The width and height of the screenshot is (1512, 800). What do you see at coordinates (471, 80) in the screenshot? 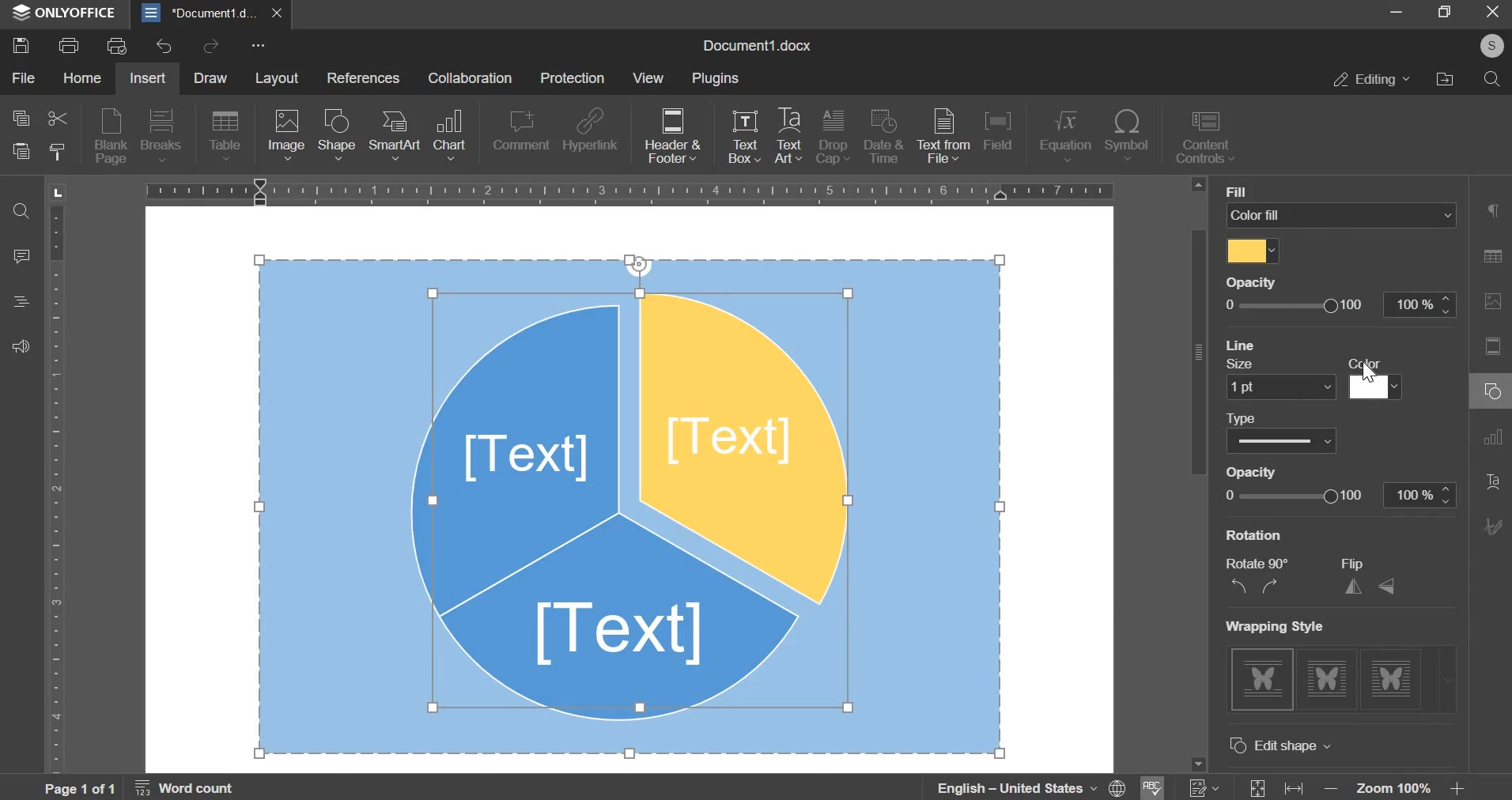
I see `collaboration` at bounding box center [471, 80].